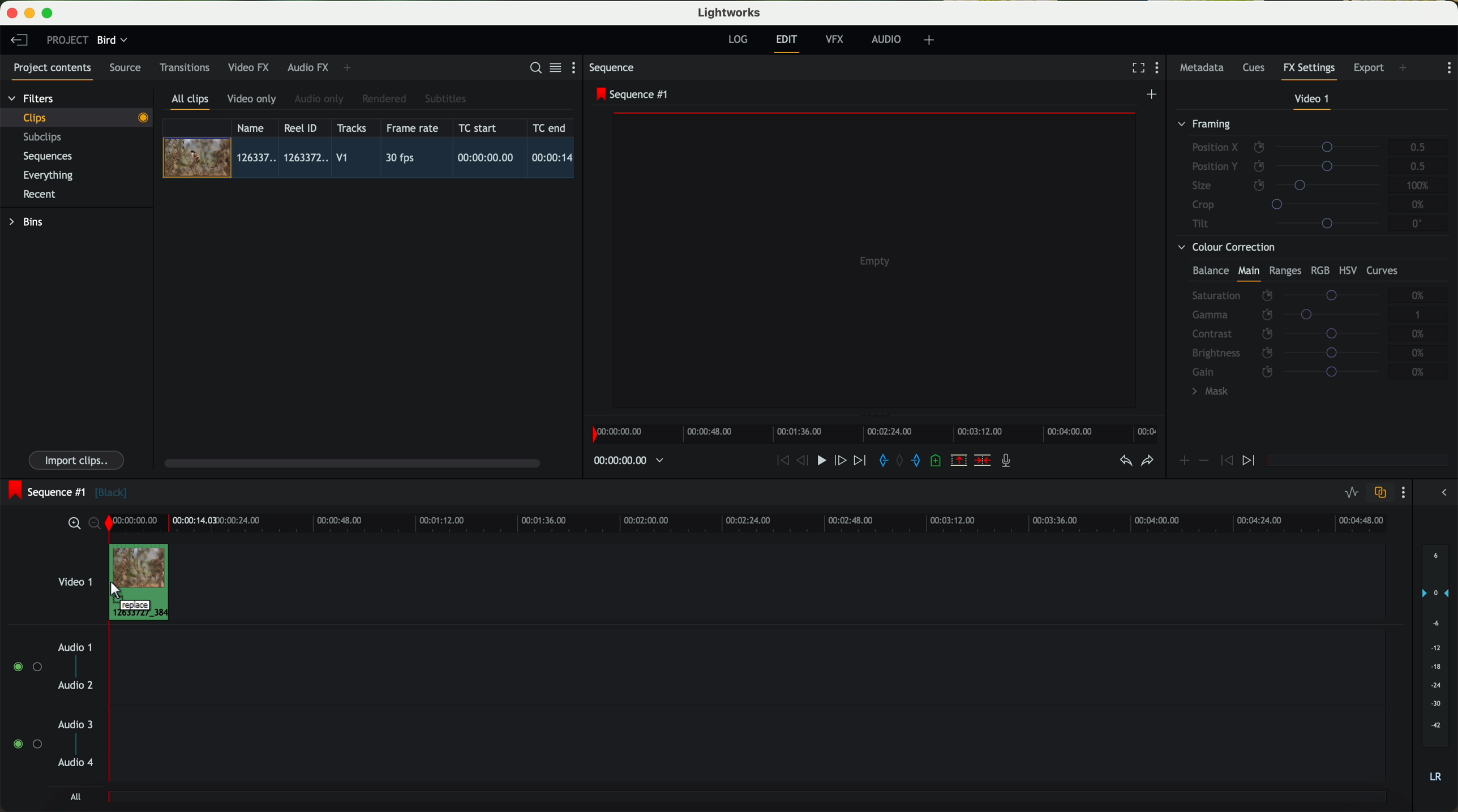 The height and width of the screenshot is (812, 1458). I want to click on all clips, so click(191, 102).